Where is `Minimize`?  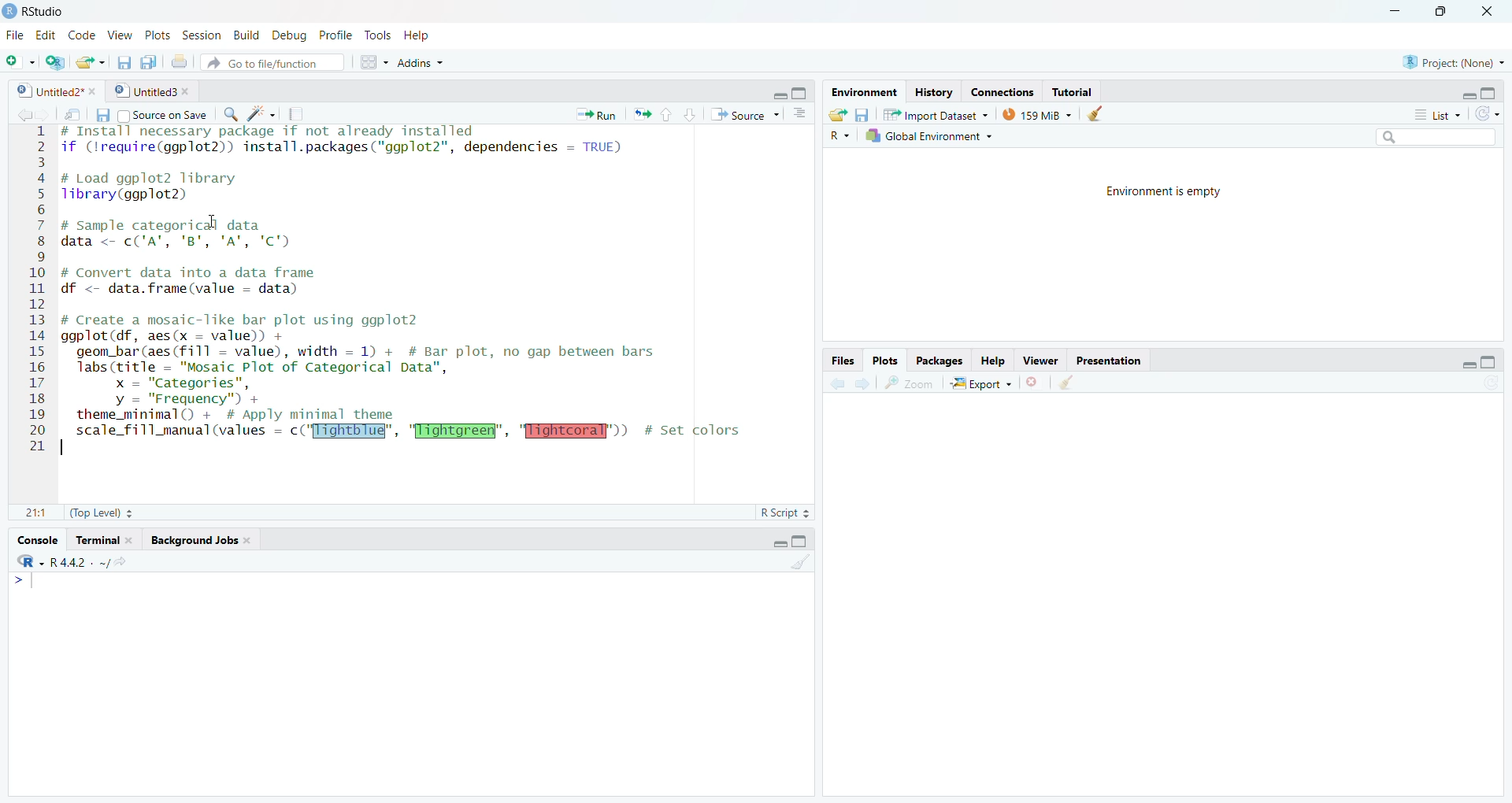 Minimize is located at coordinates (1397, 12).